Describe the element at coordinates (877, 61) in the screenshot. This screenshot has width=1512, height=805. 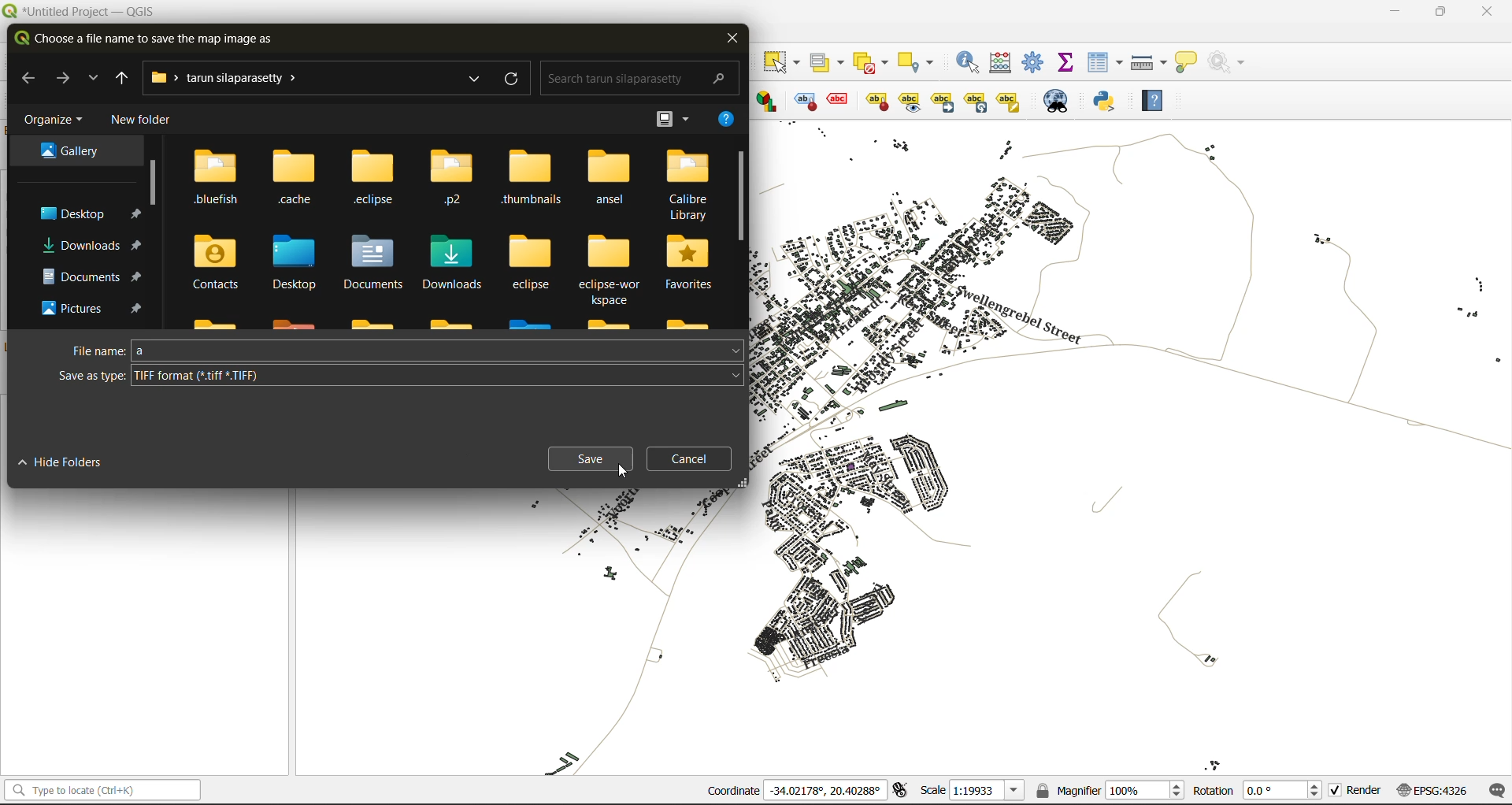
I see `deselect value` at that location.